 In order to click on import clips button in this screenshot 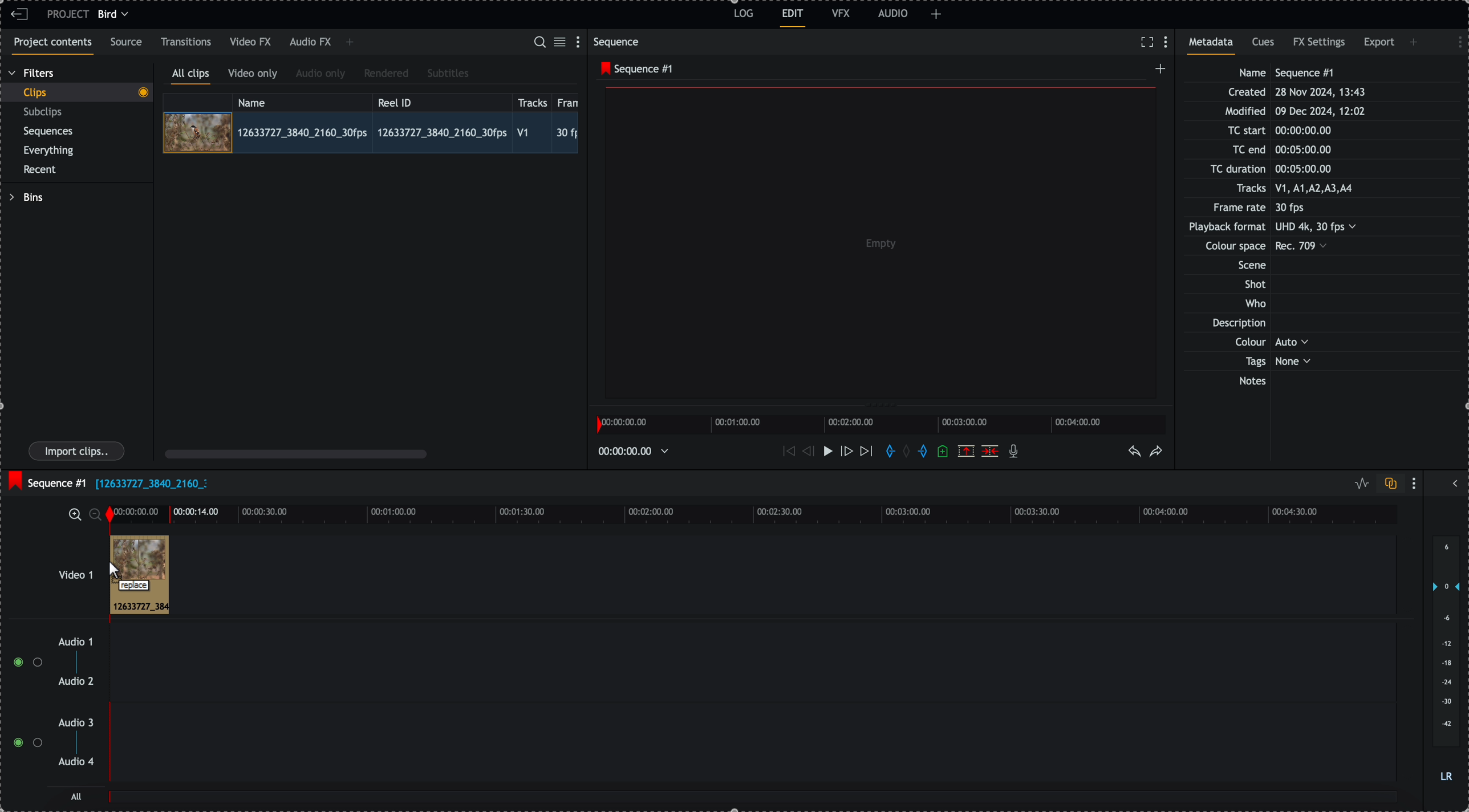, I will do `click(78, 452)`.